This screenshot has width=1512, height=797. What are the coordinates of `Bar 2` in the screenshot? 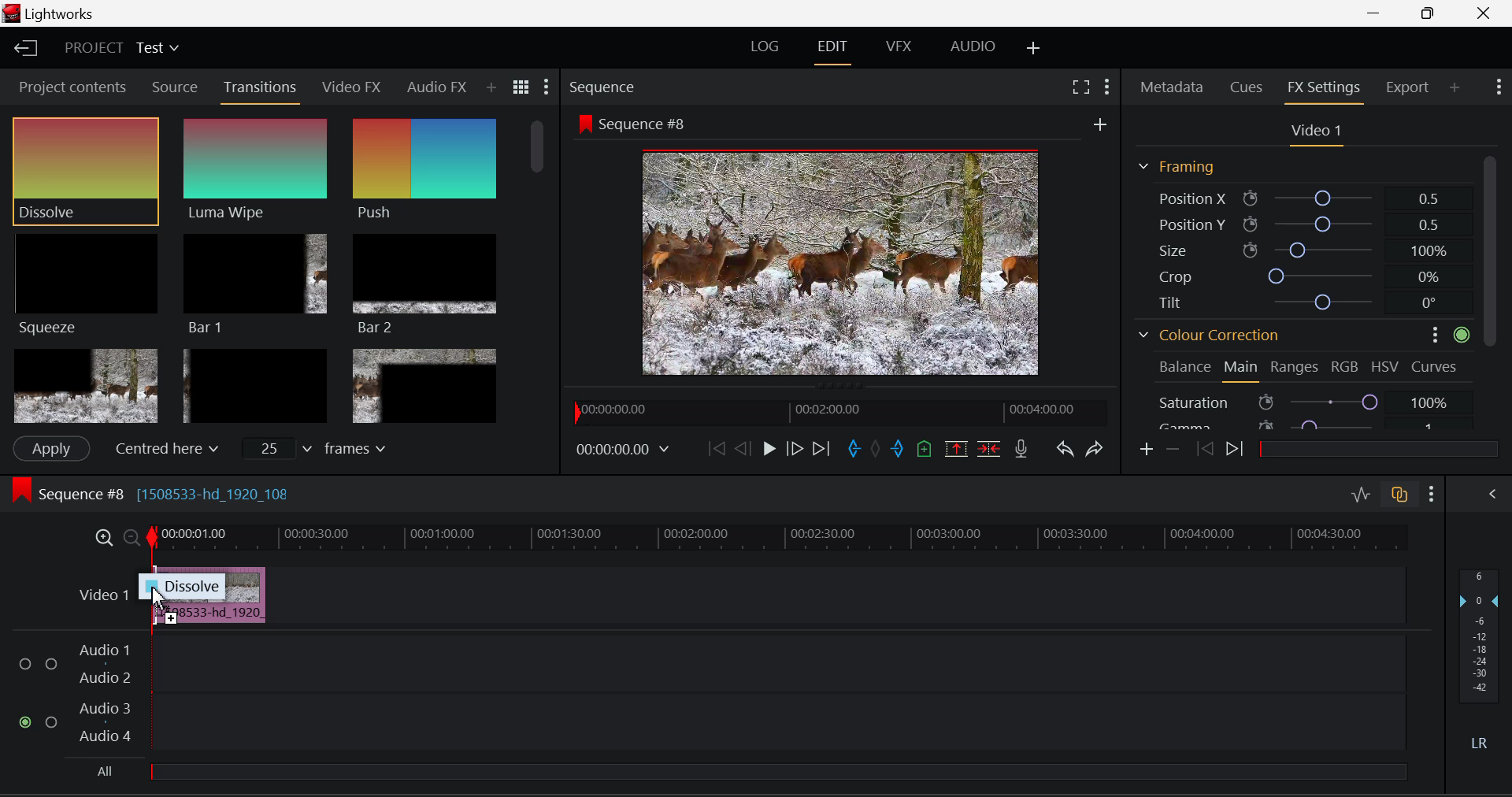 It's located at (425, 286).